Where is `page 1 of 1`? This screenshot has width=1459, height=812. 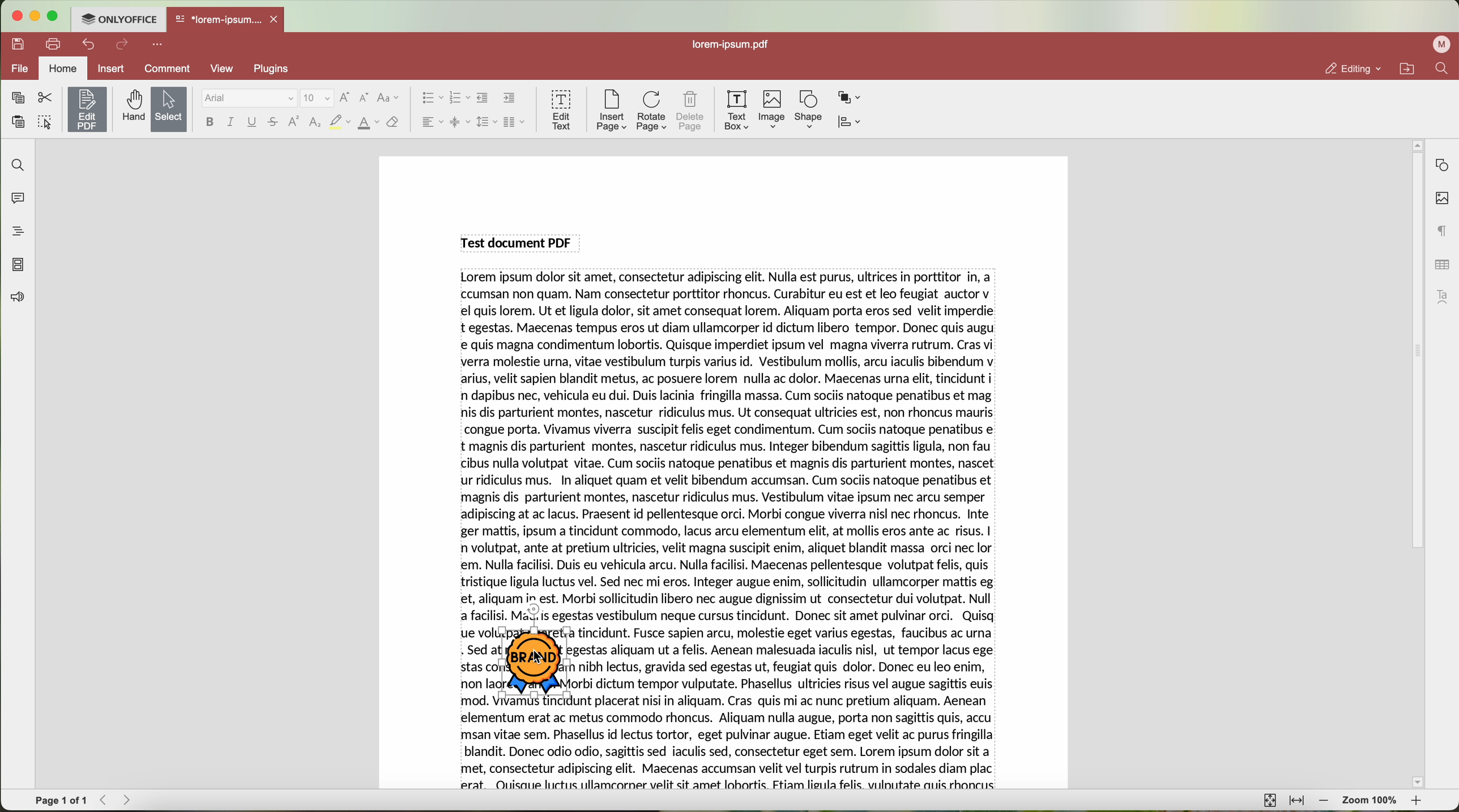
page 1 of 1 is located at coordinates (61, 801).